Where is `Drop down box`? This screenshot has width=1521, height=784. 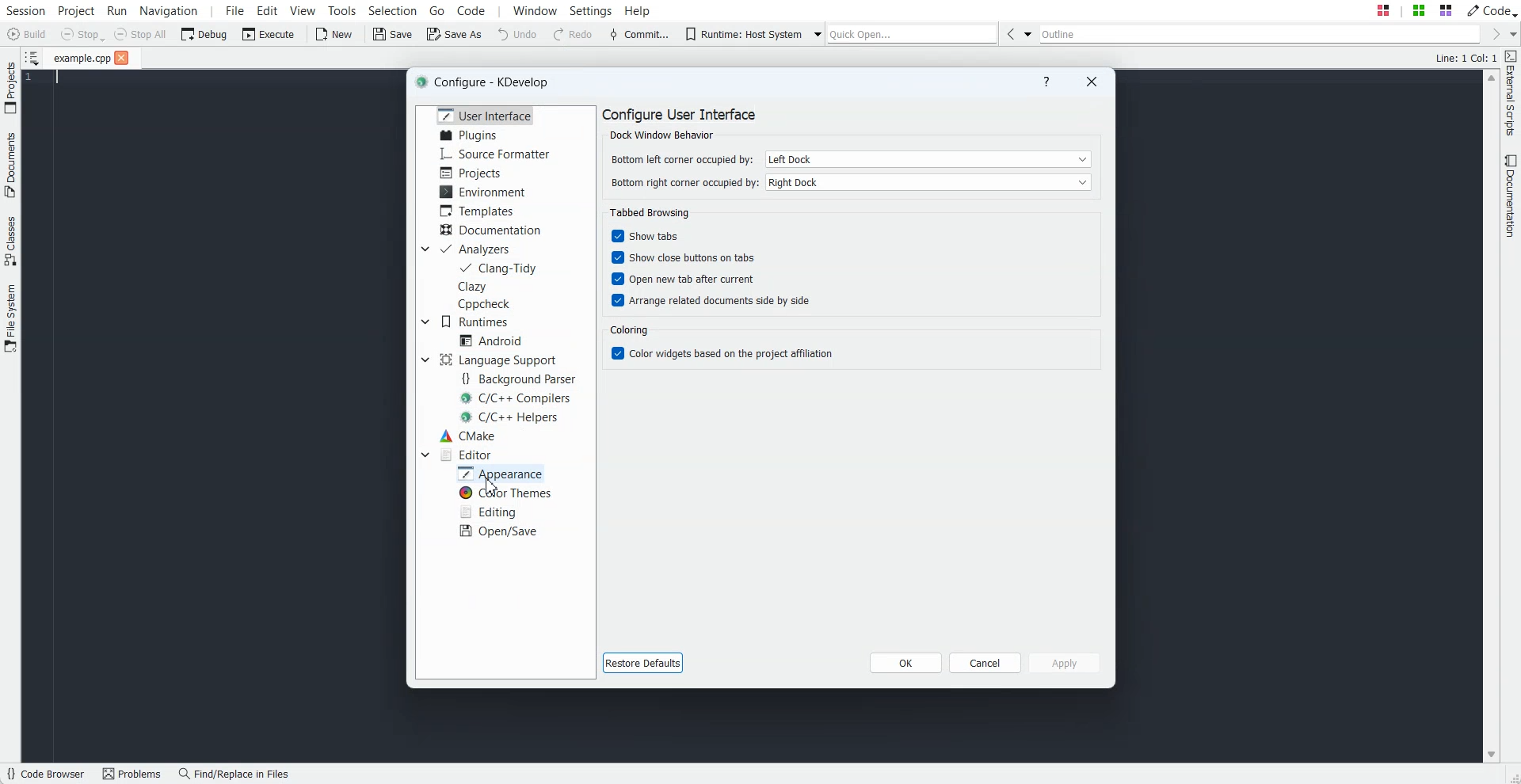
Drop down box is located at coordinates (424, 249).